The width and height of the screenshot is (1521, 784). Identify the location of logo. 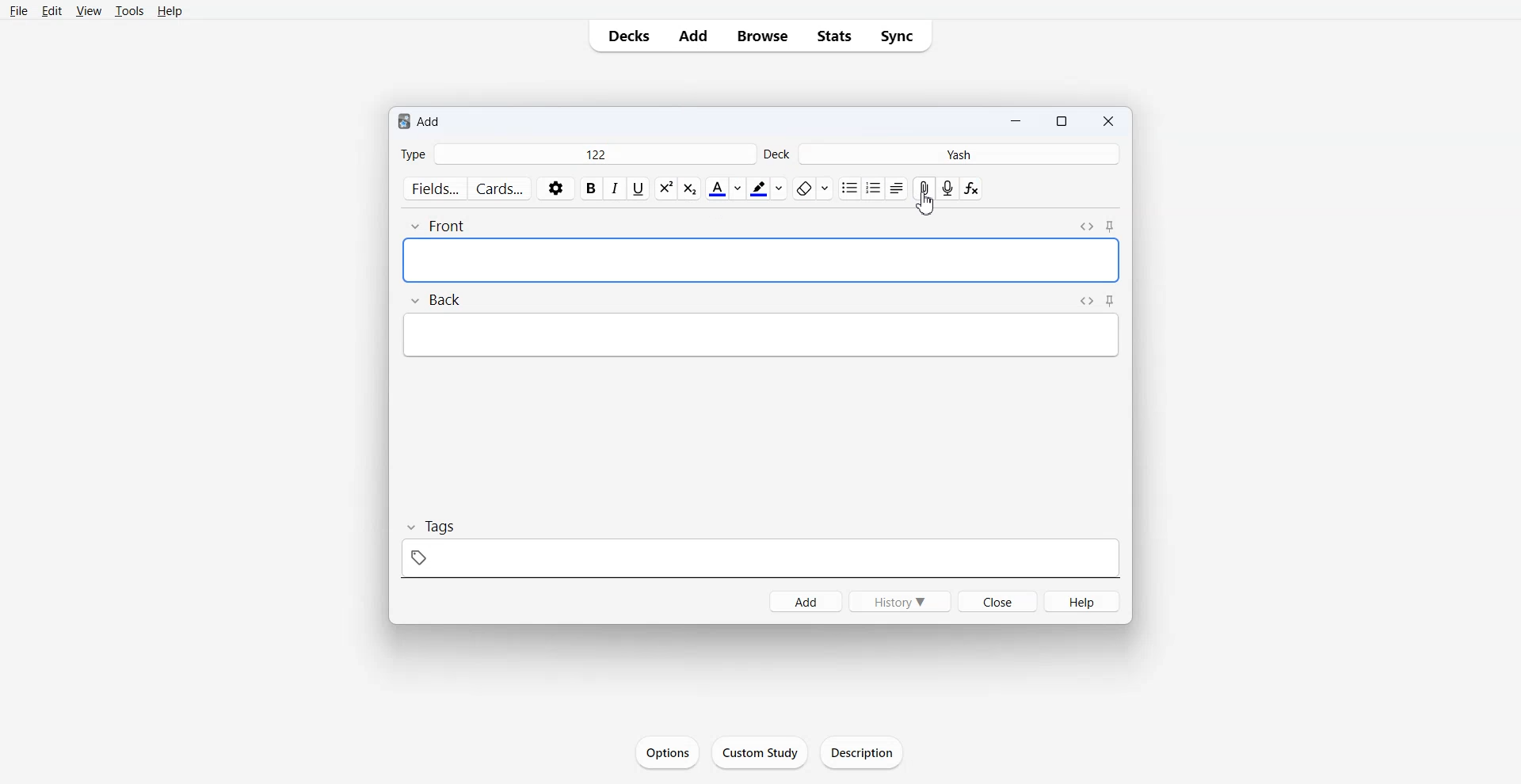
(402, 121).